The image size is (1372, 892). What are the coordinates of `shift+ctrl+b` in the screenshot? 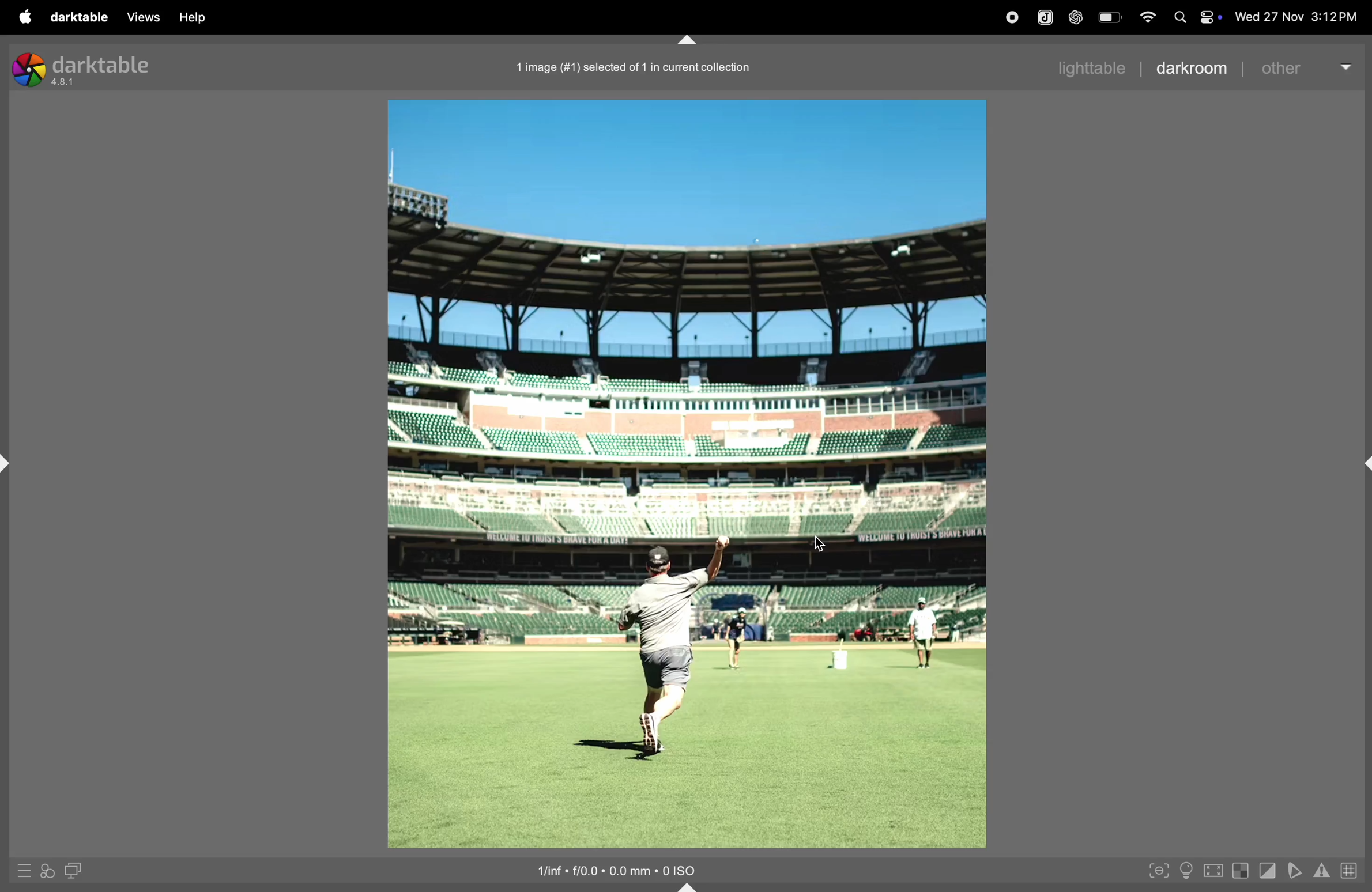 It's located at (692, 886).